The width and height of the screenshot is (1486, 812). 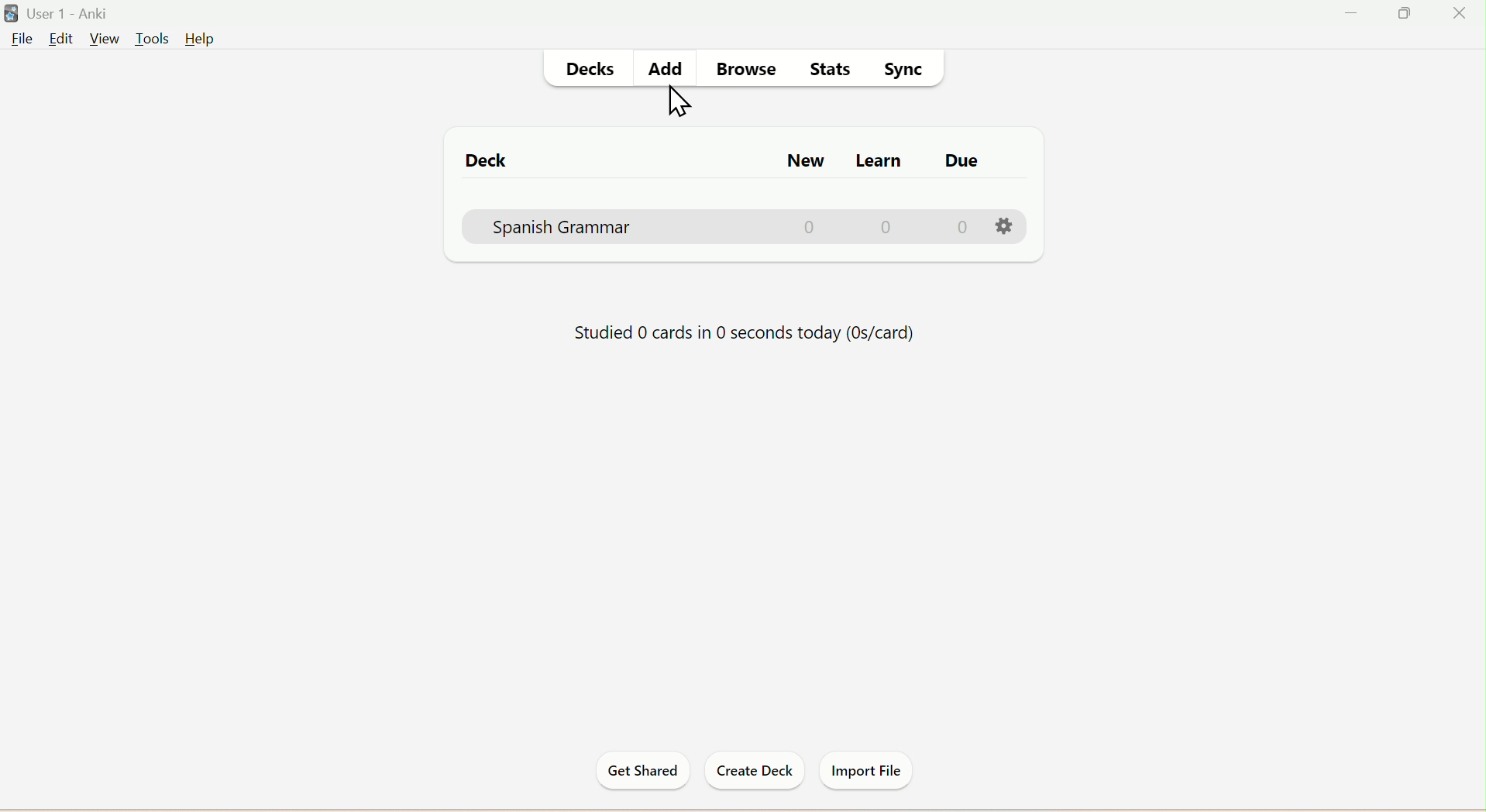 I want to click on Deck, so click(x=492, y=161).